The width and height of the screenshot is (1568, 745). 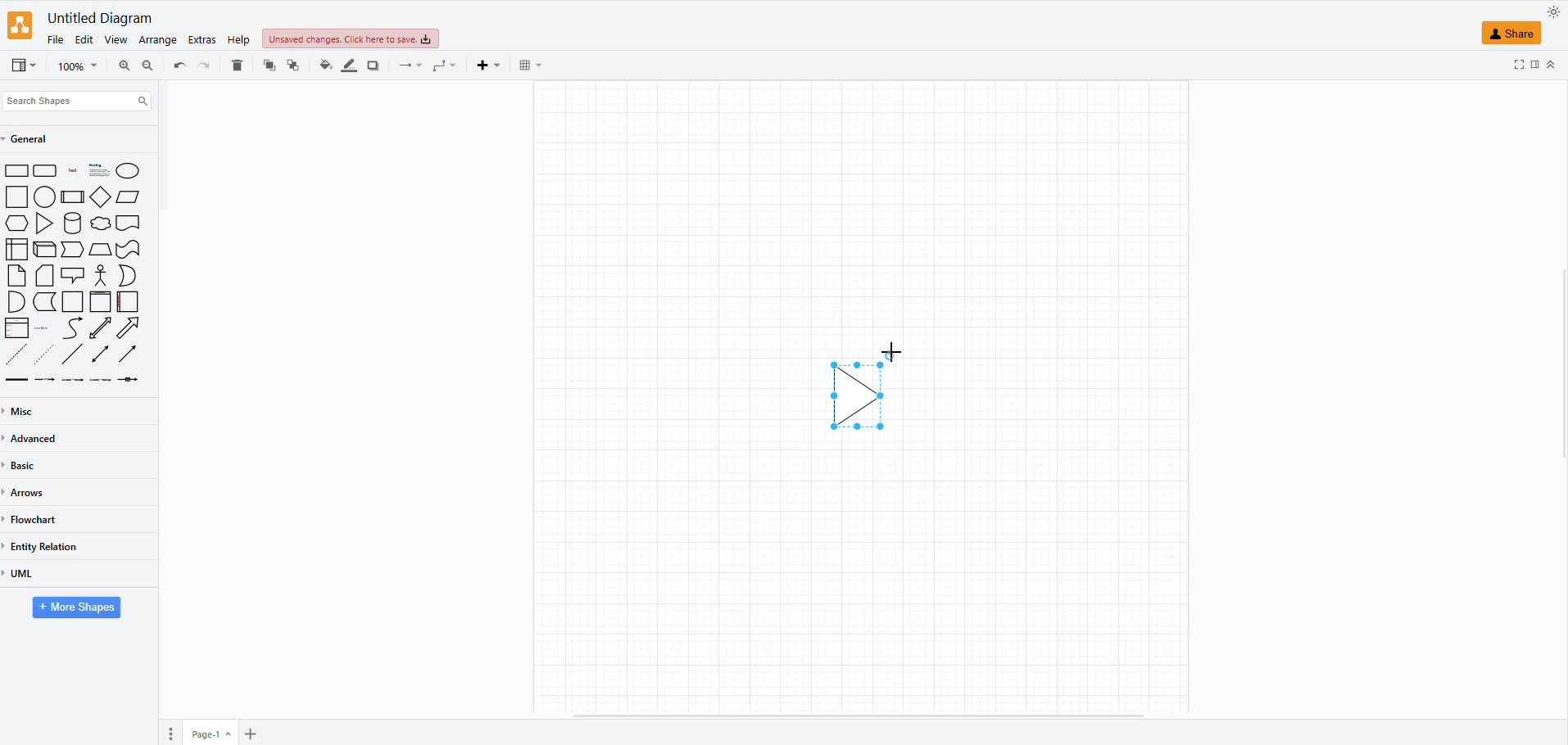 I want to click on Two sided arrow, so click(x=100, y=354).